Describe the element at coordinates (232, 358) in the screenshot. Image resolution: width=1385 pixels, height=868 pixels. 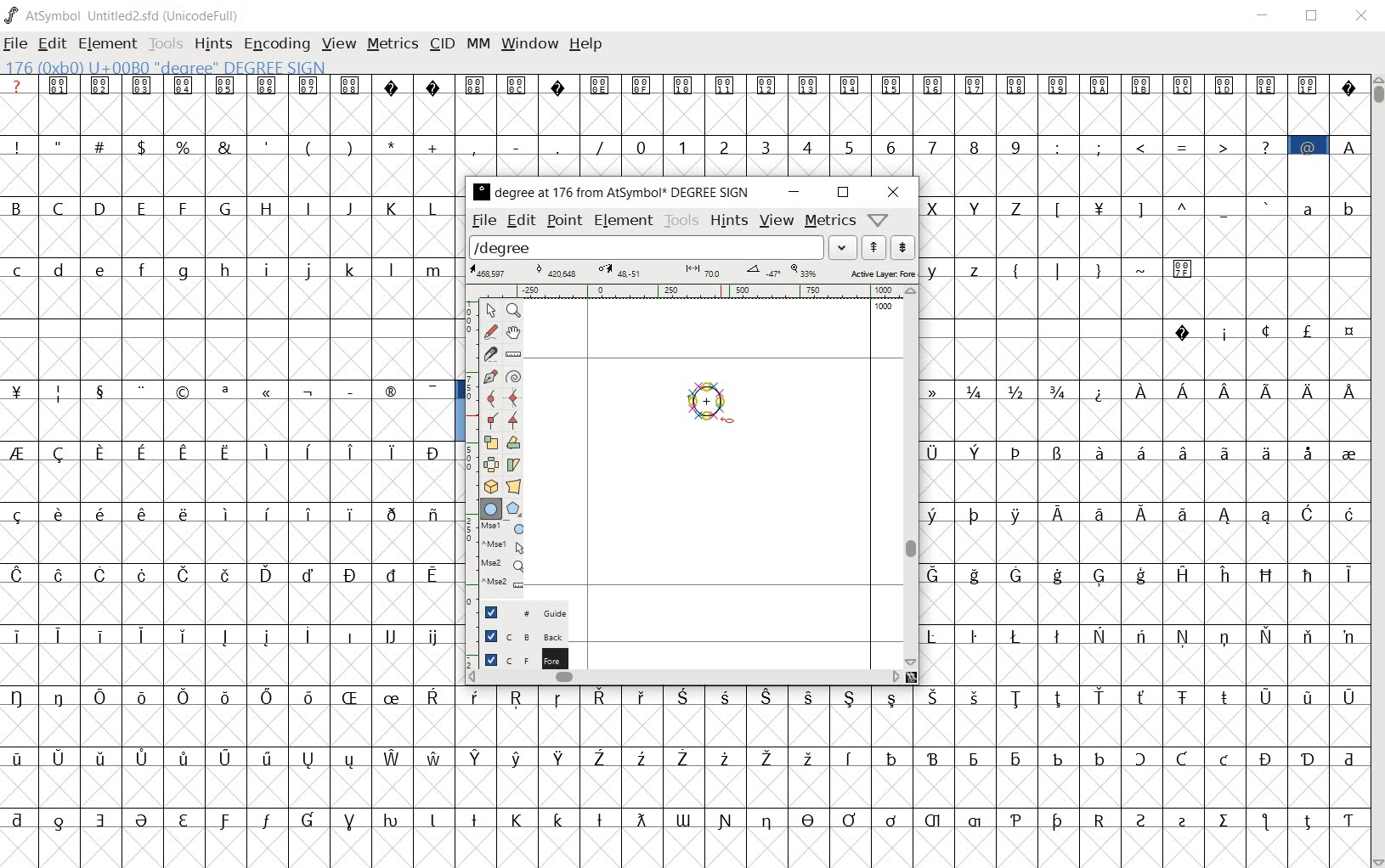
I see `empty glyph slots` at that location.